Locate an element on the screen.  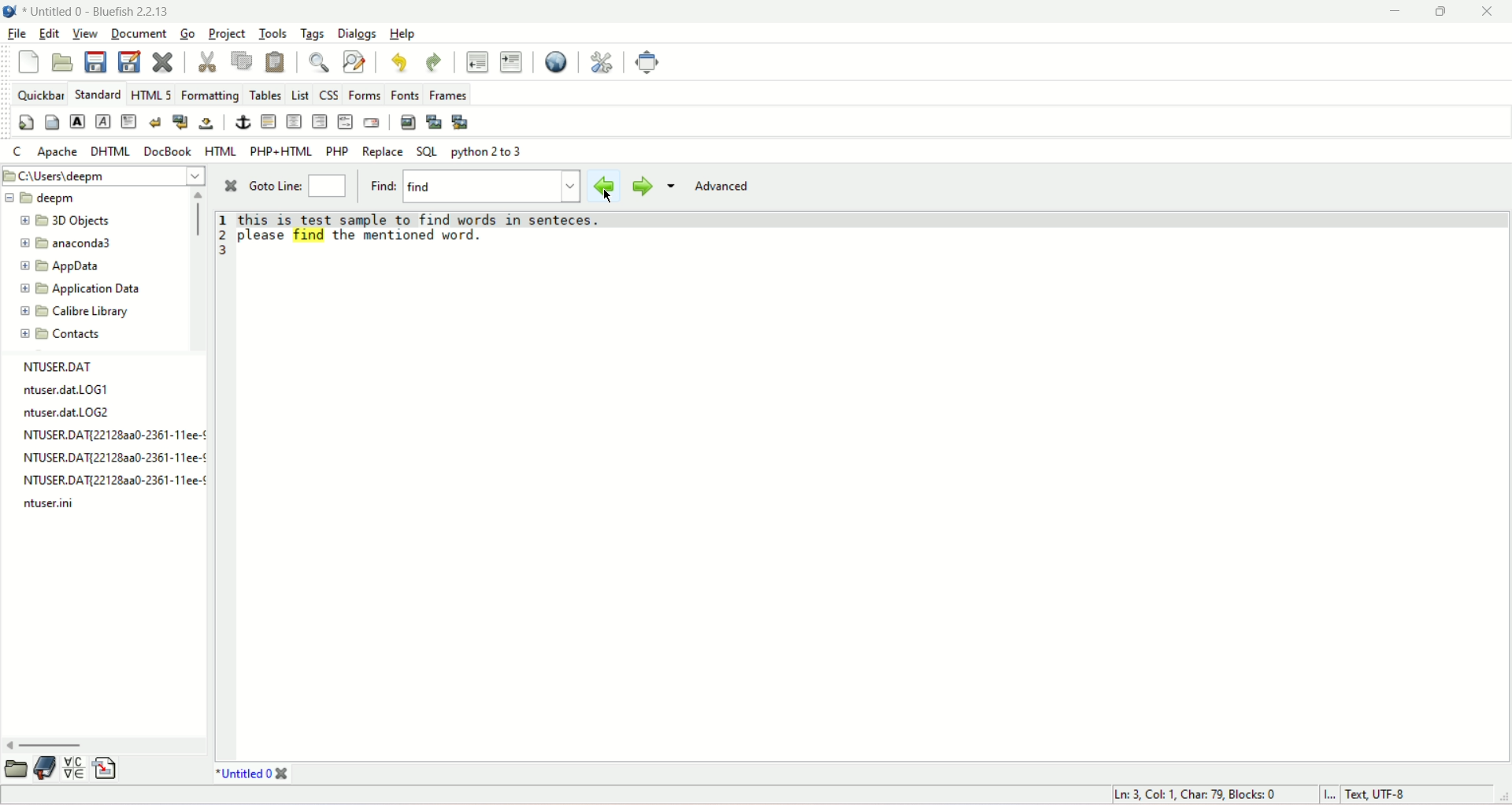
deepm is located at coordinates (41, 198).